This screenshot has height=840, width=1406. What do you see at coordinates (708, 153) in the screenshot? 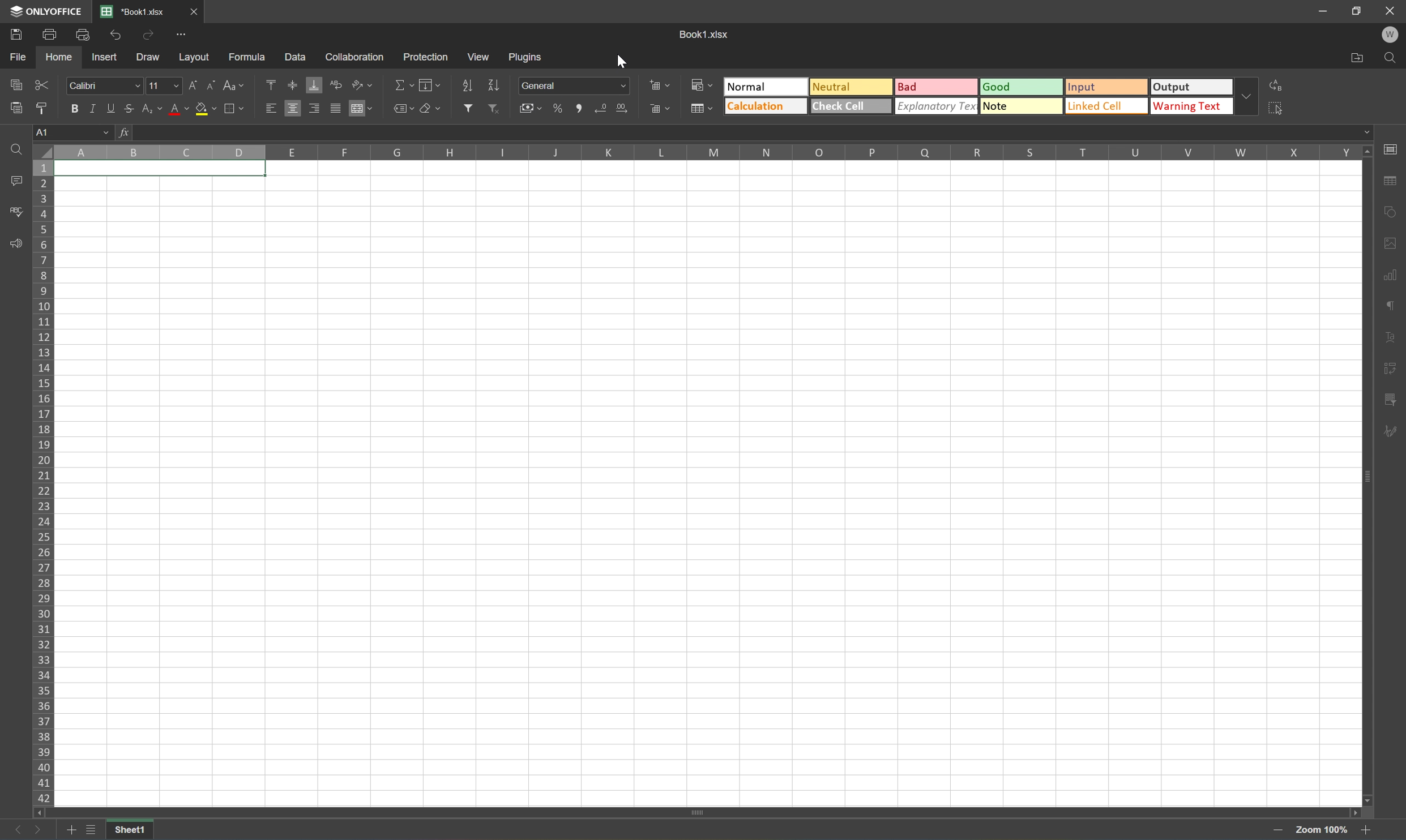
I see `Column names` at bounding box center [708, 153].